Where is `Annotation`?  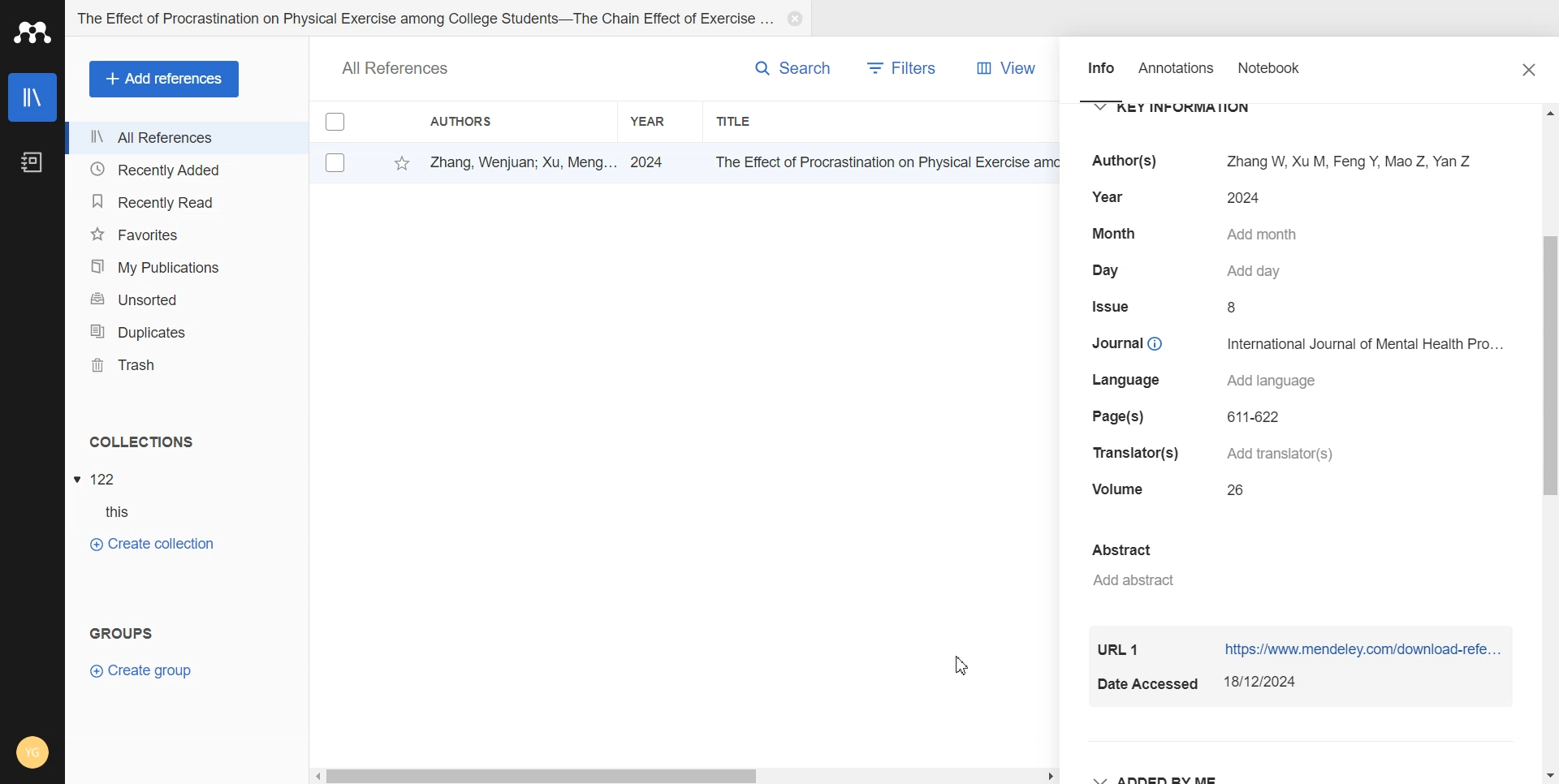 Annotation is located at coordinates (1178, 74).